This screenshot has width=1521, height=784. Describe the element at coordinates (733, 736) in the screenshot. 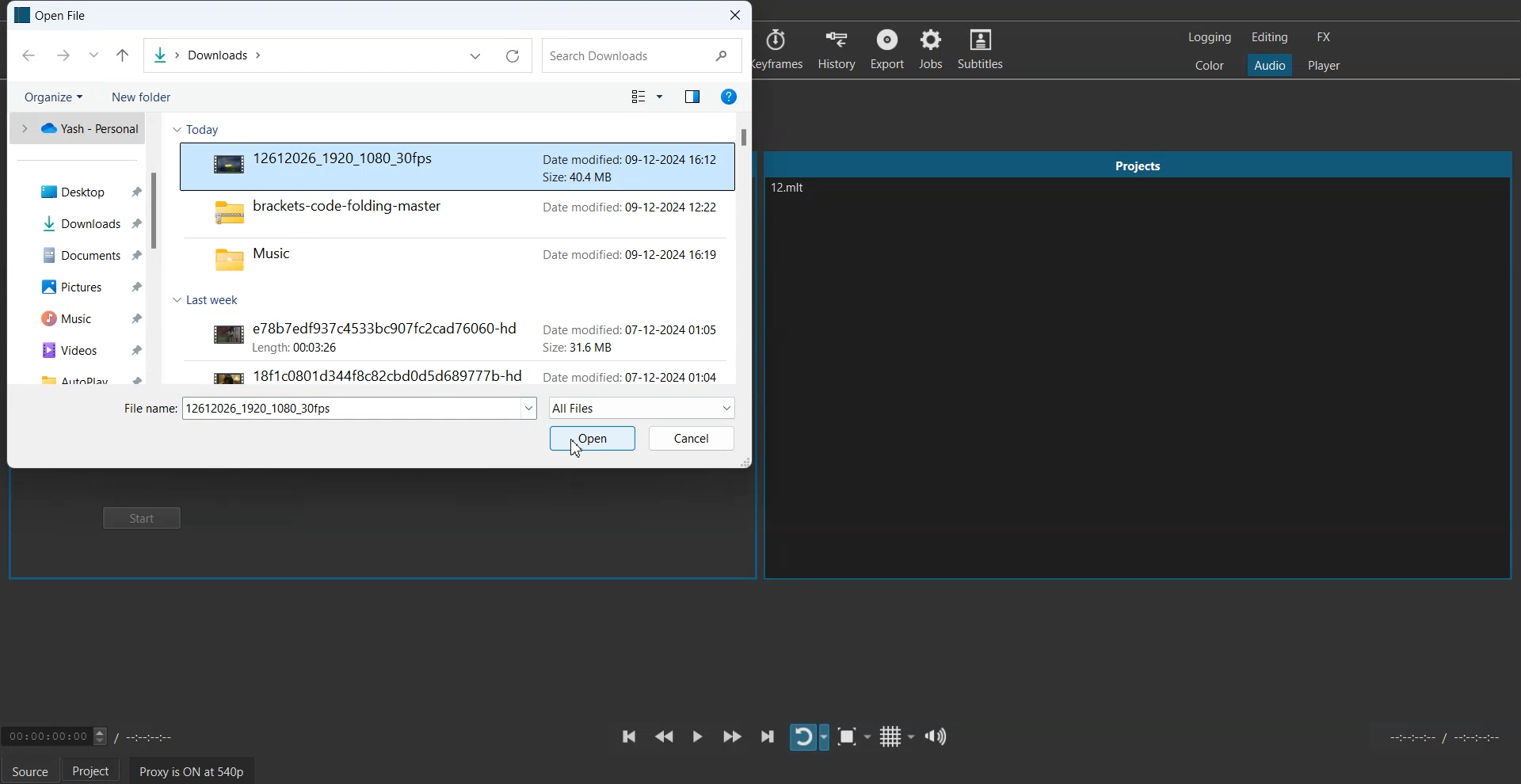

I see `Play quickly forwards` at that location.